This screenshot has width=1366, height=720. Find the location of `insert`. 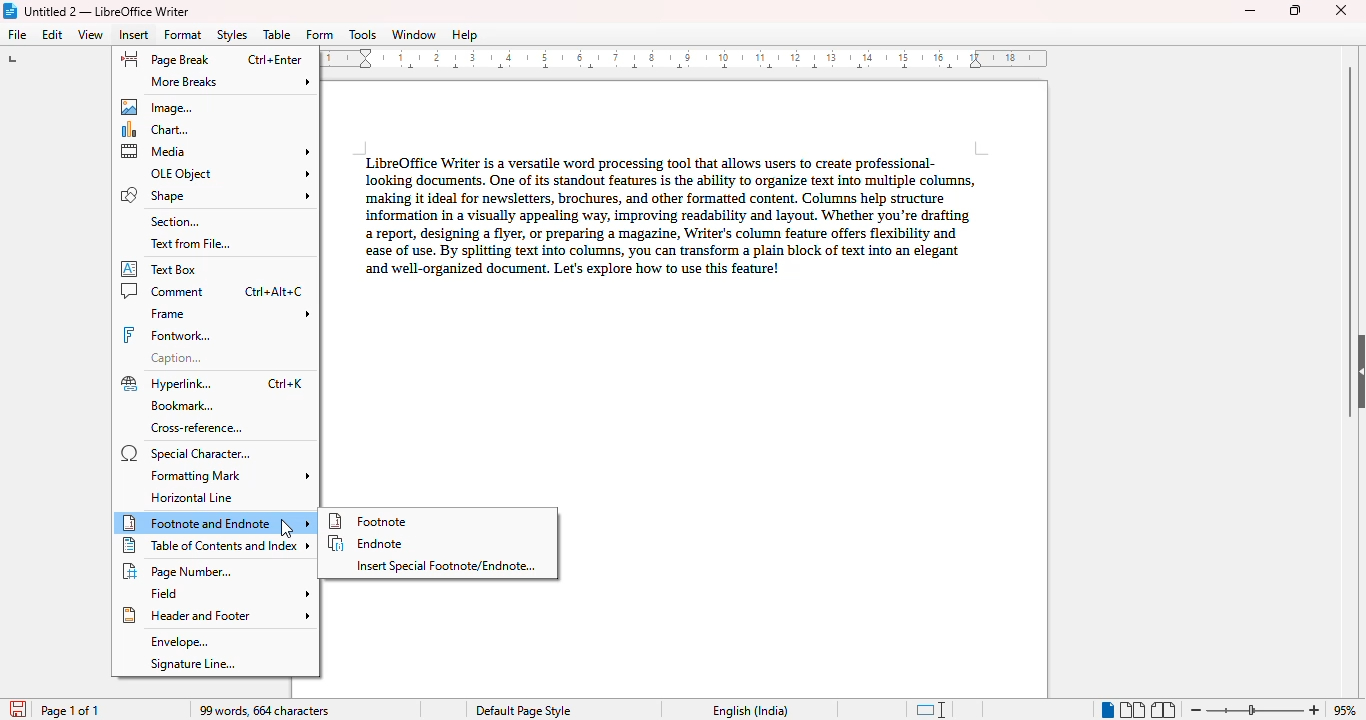

insert is located at coordinates (134, 34).